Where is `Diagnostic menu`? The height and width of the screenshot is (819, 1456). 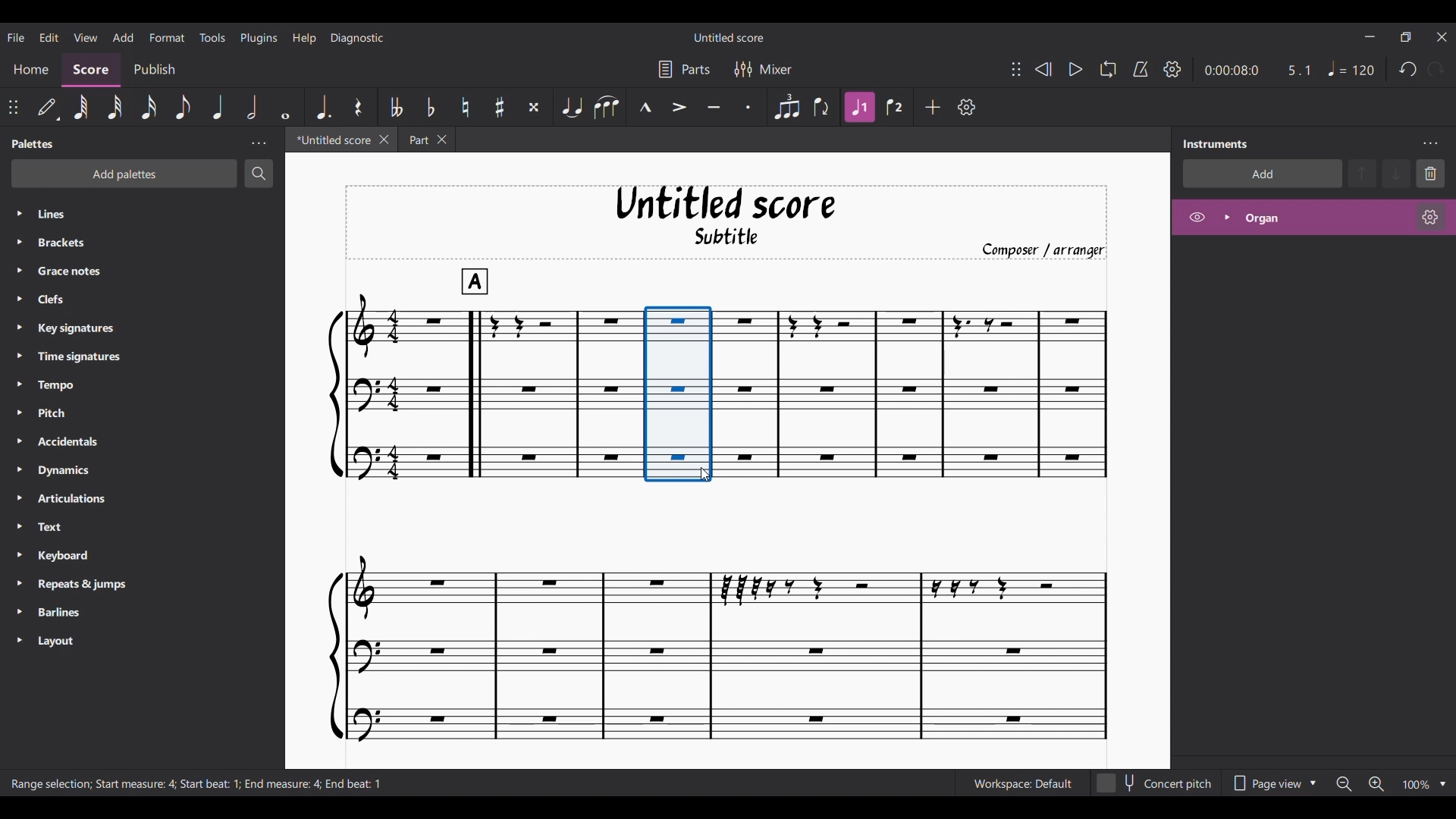 Diagnostic menu is located at coordinates (357, 37).